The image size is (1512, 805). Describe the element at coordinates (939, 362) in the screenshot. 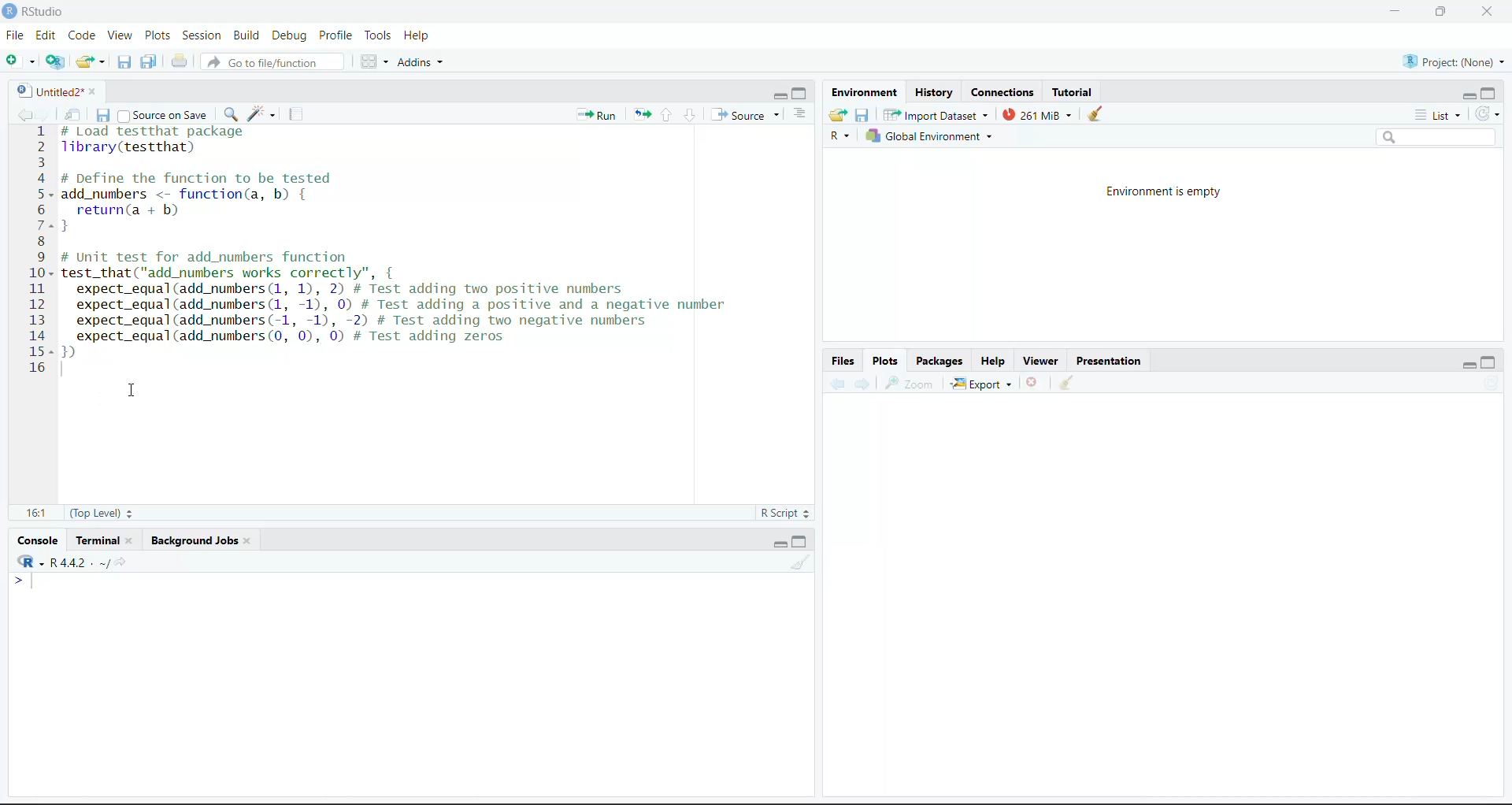

I see `Packages` at that location.